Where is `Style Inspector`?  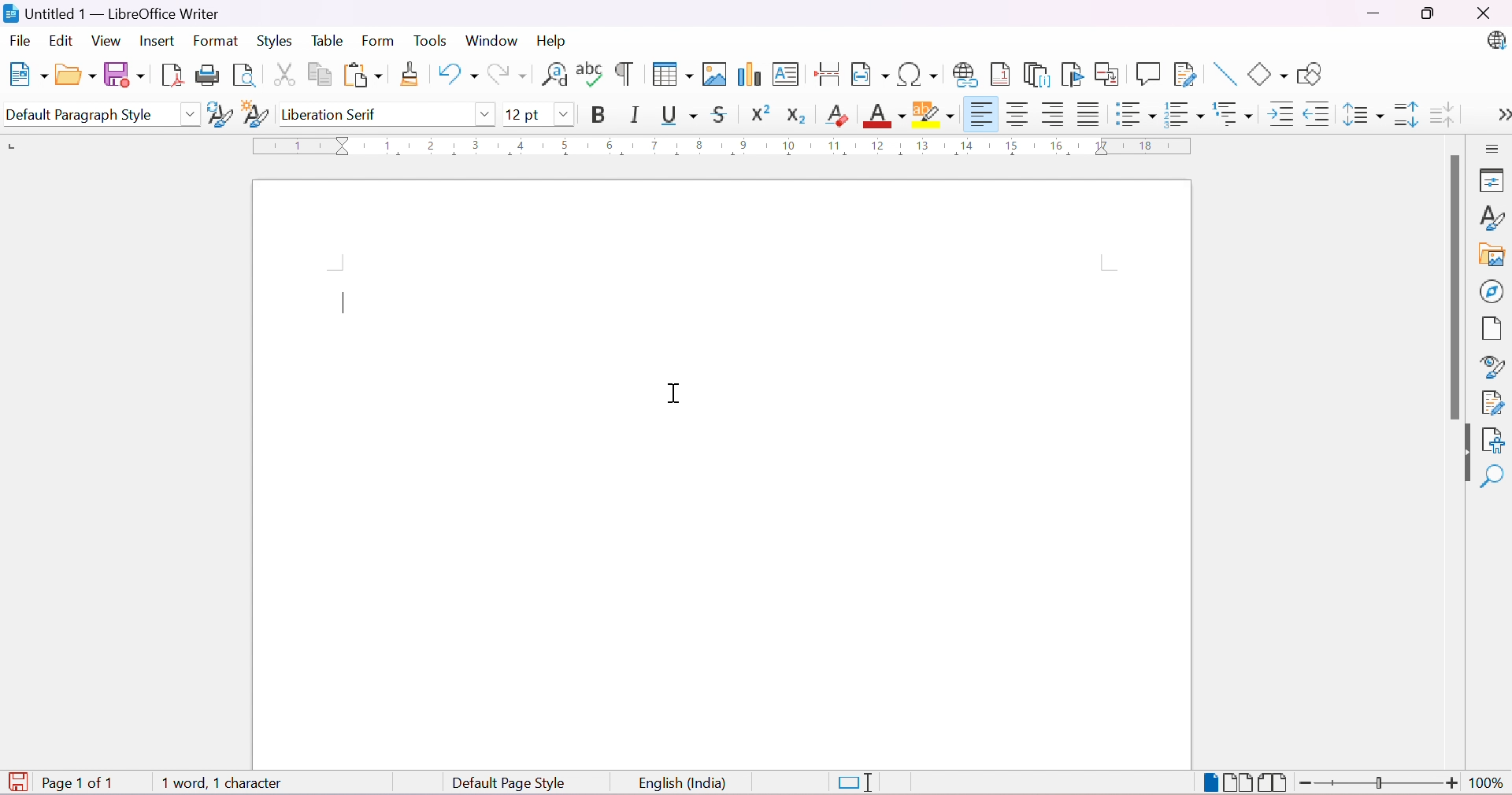 Style Inspector is located at coordinates (1488, 368).